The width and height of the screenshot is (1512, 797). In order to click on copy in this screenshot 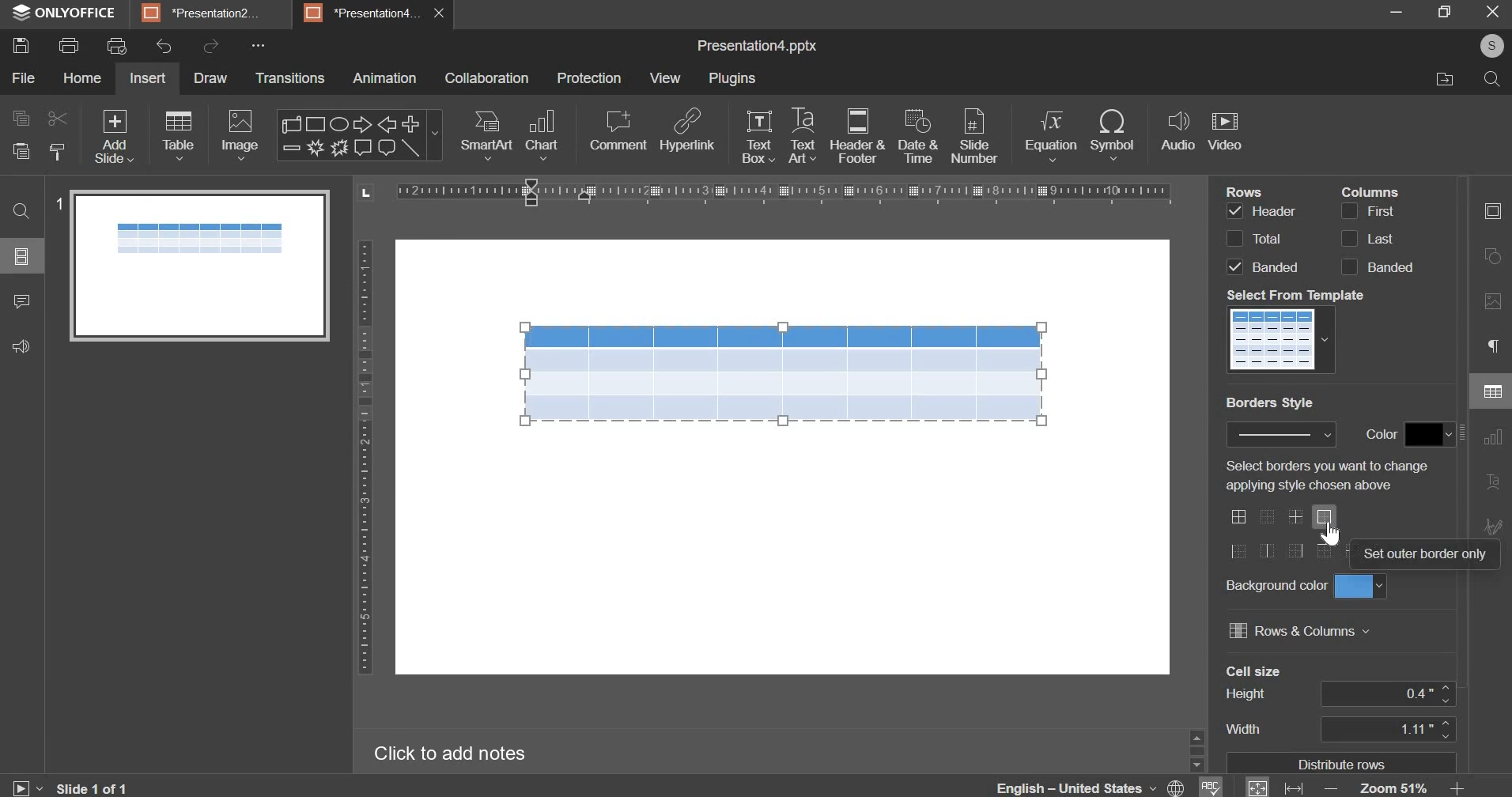, I will do `click(19, 119)`.